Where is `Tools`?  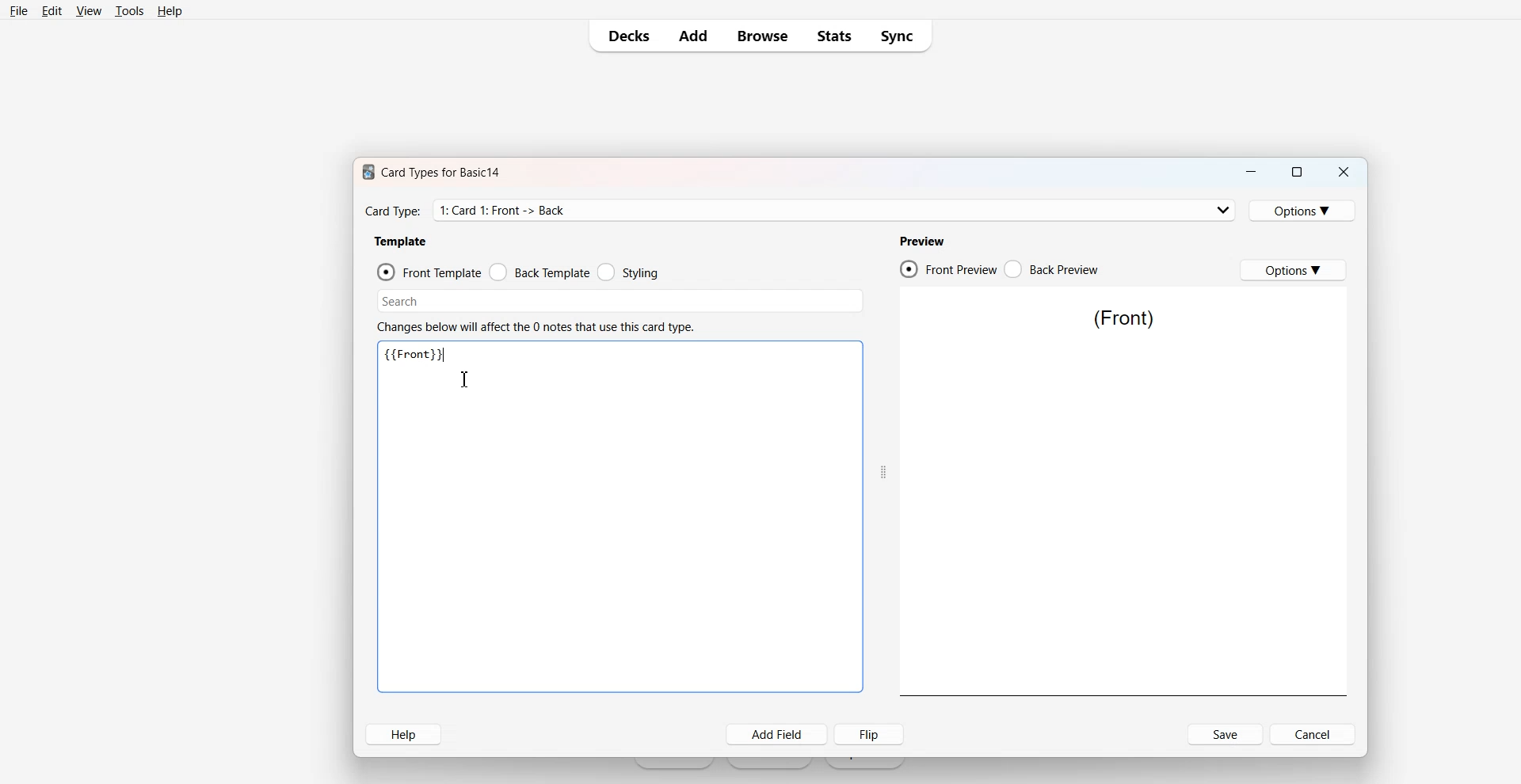
Tools is located at coordinates (129, 11).